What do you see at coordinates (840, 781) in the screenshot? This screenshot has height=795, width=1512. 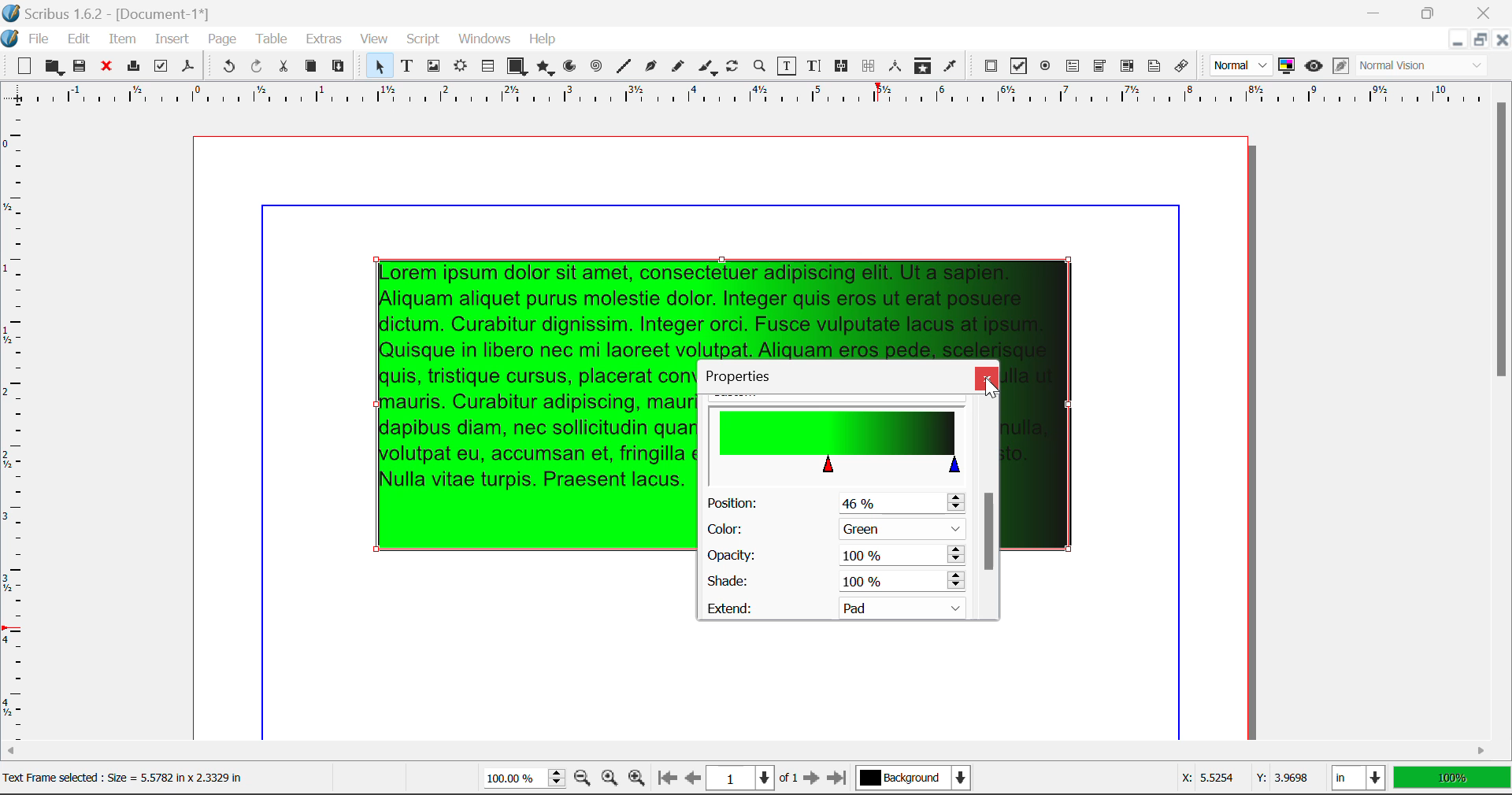 I see `Last Page` at bounding box center [840, 781].